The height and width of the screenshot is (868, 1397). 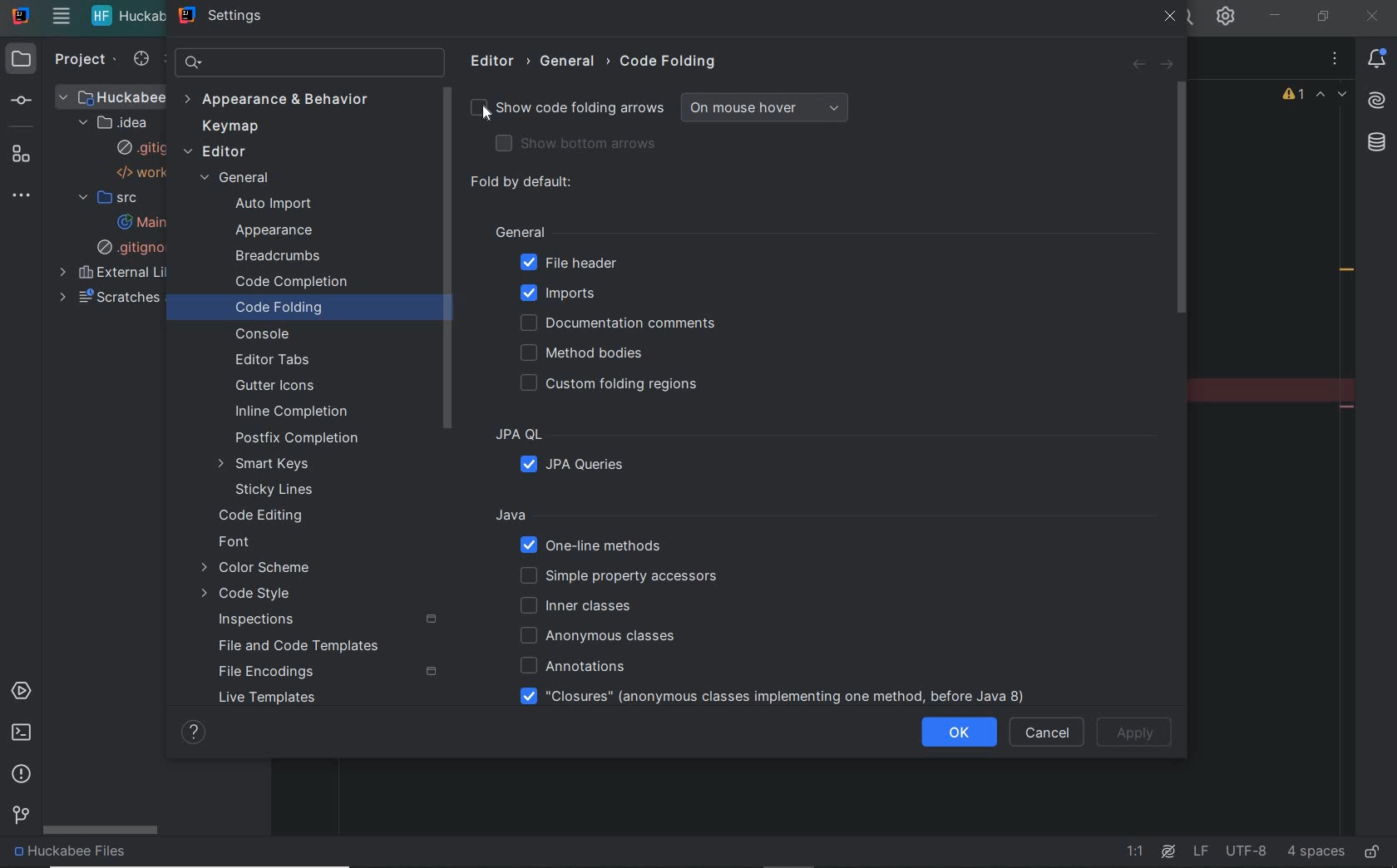 What do you see at coordinates (1172, 17) in the screenshot?
I see `close` at bounding box center [1172, 17].